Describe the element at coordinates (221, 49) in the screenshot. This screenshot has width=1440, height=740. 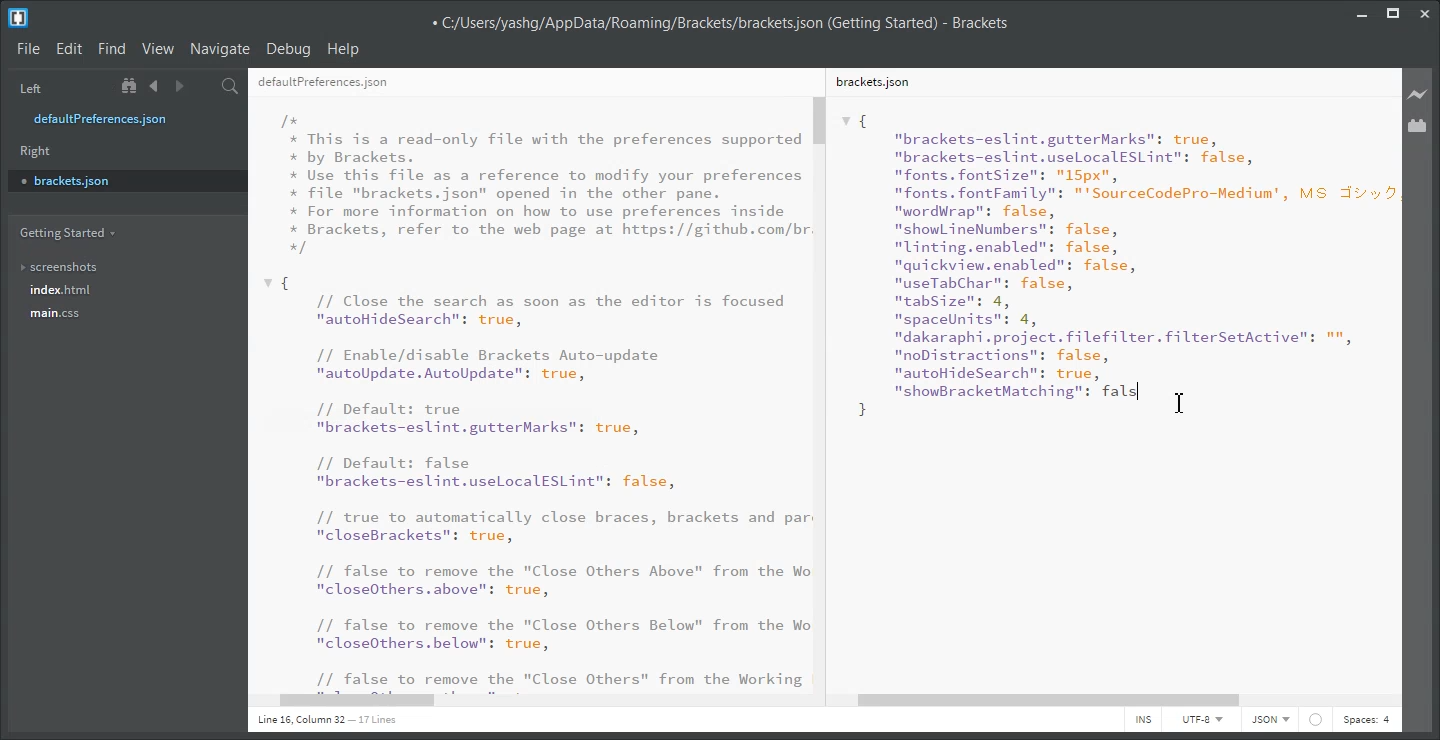
I see `Navigate` at that location.